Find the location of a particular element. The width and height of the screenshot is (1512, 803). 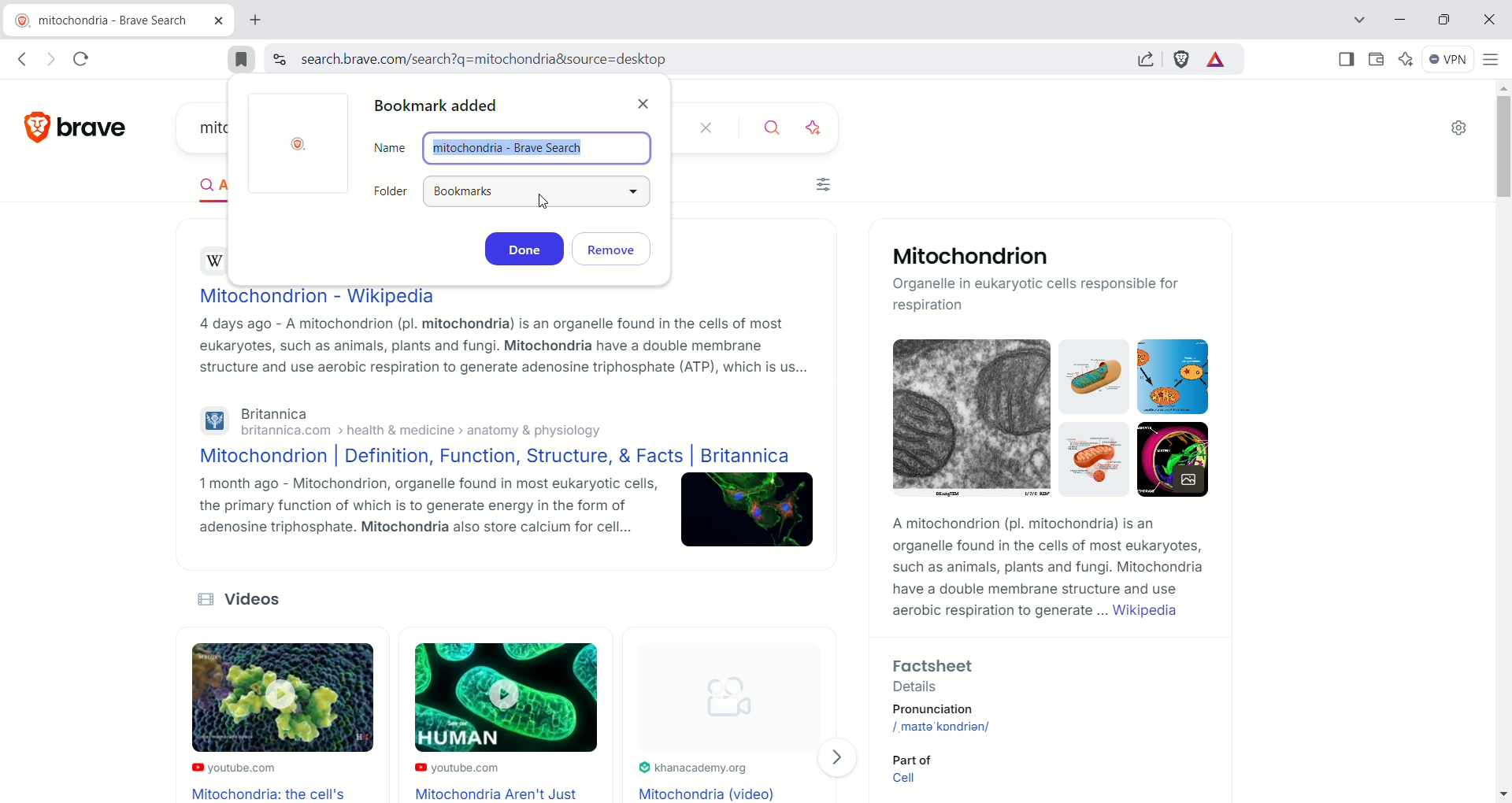

maximize is located at coordinates (1444, 20).